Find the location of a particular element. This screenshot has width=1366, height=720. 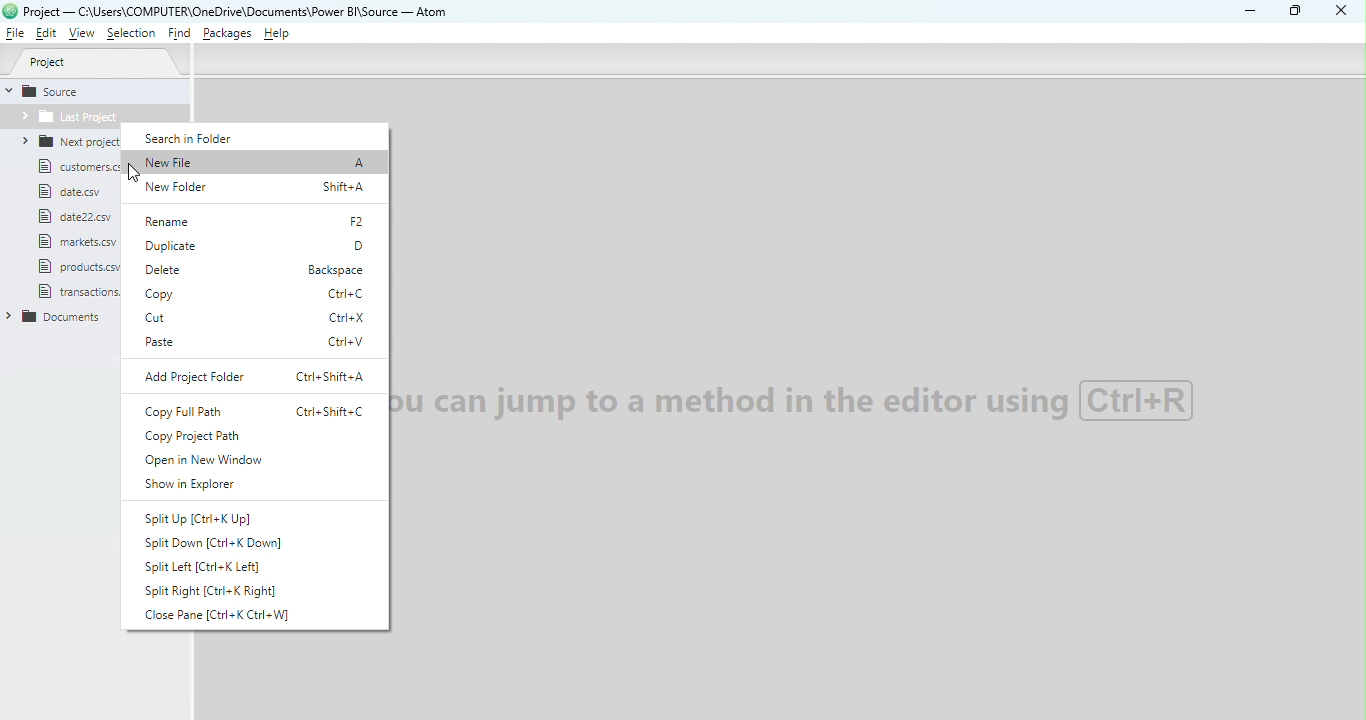

Add project folder is located at coordinates (258, 380).